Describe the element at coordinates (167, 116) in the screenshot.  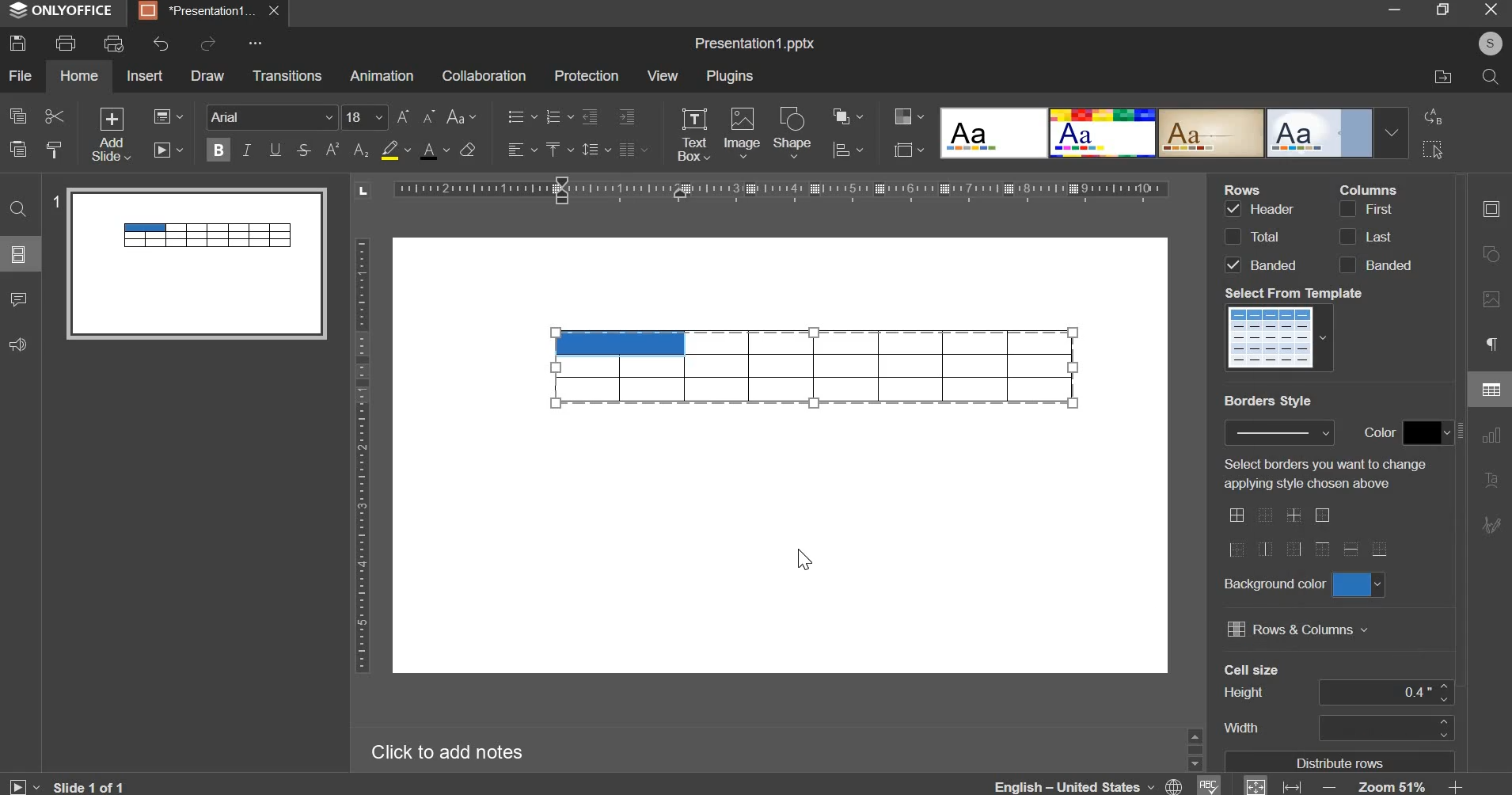
I see `change layout` at that location.